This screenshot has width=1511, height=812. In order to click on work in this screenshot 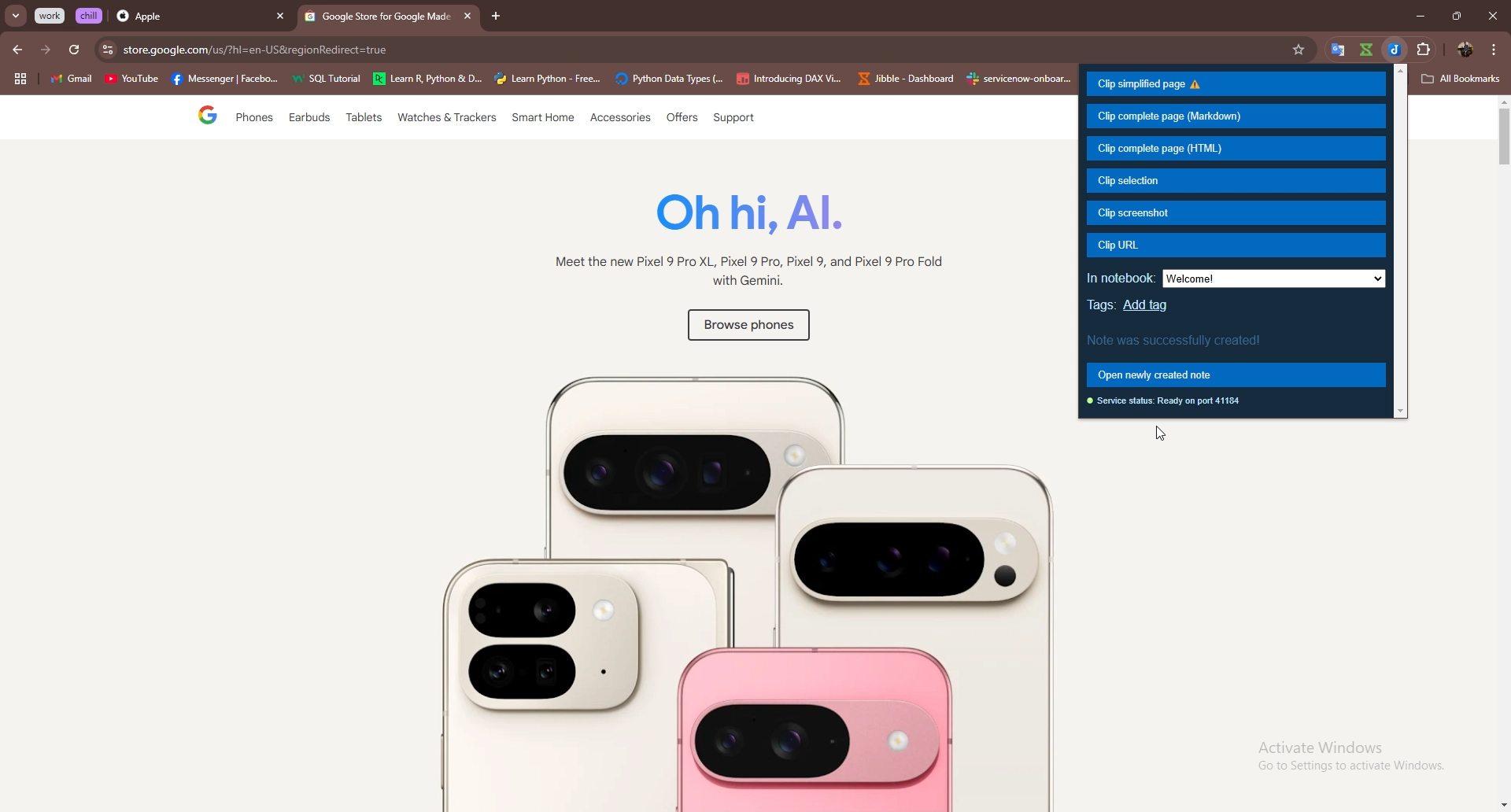, I will do `click(51, 16)`.